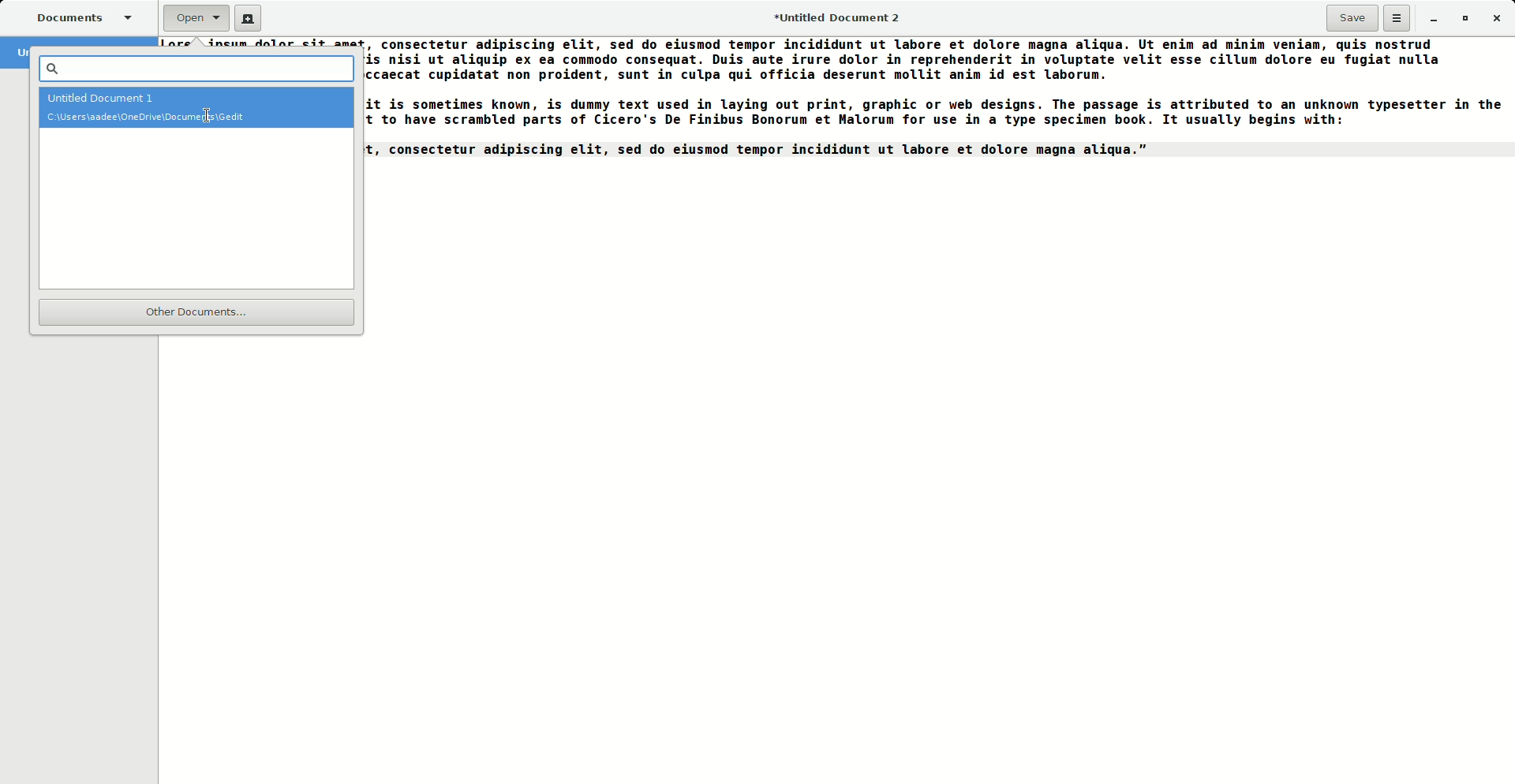 The height and width of the screenshot is (784, 1515). Describe the element at coordinates (844, 20) in the screenshot. I see `Untitled Document 2` at that location.